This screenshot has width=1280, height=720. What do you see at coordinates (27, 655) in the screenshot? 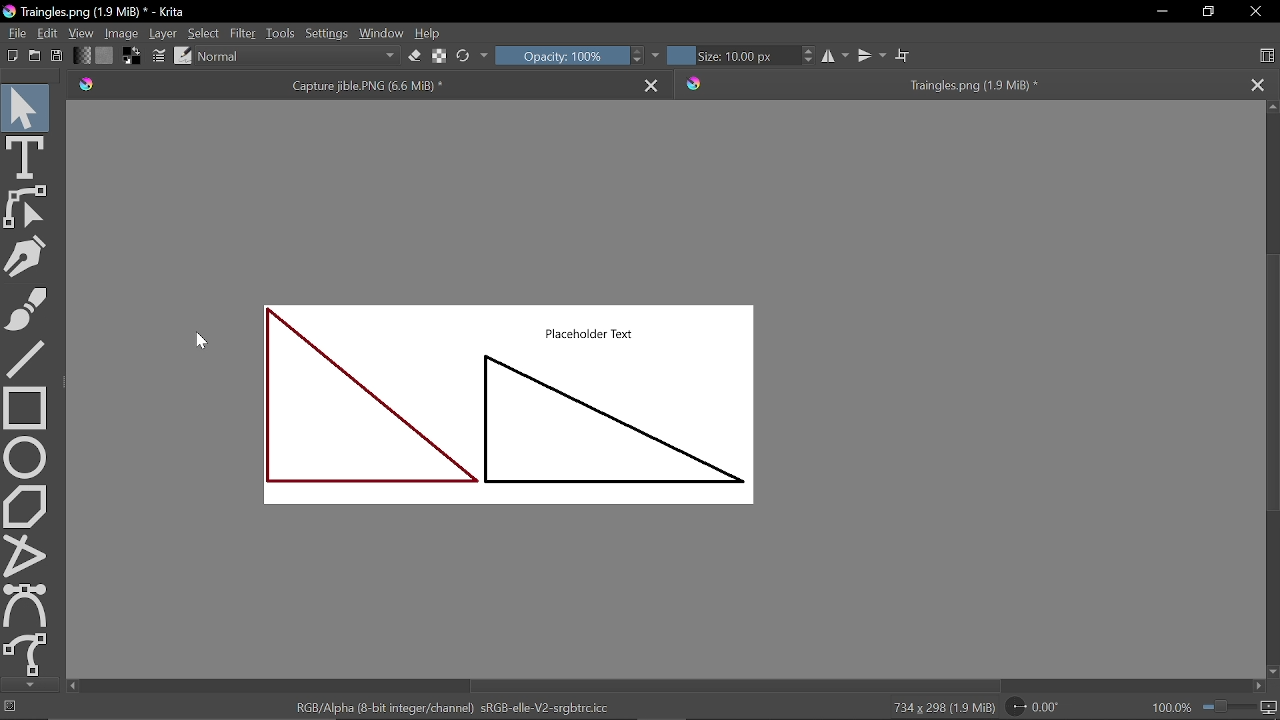
I see `Freehand select tool` at bounding box center [27, 655].